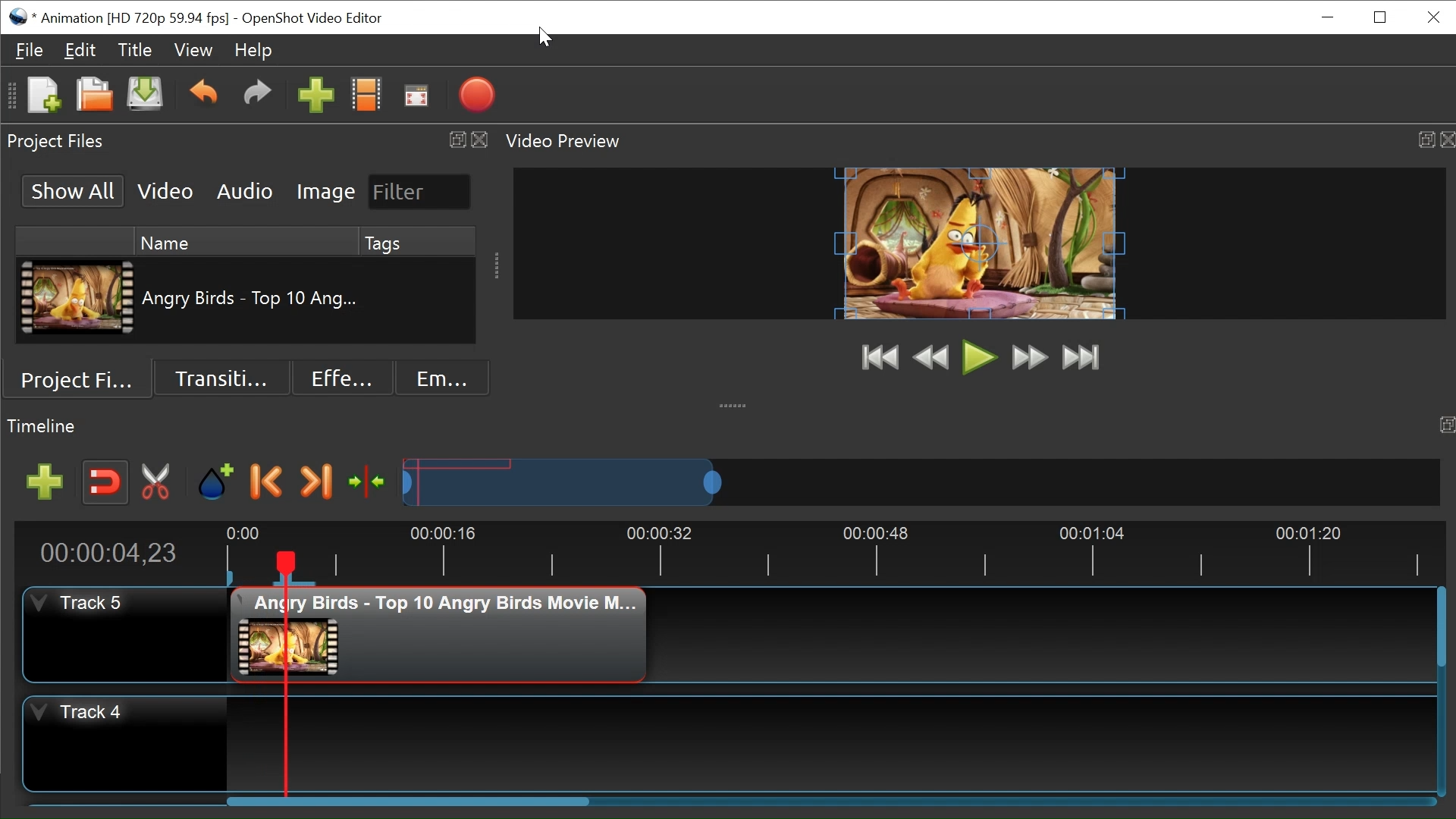  I want to click on collapse, so click(733, 403).